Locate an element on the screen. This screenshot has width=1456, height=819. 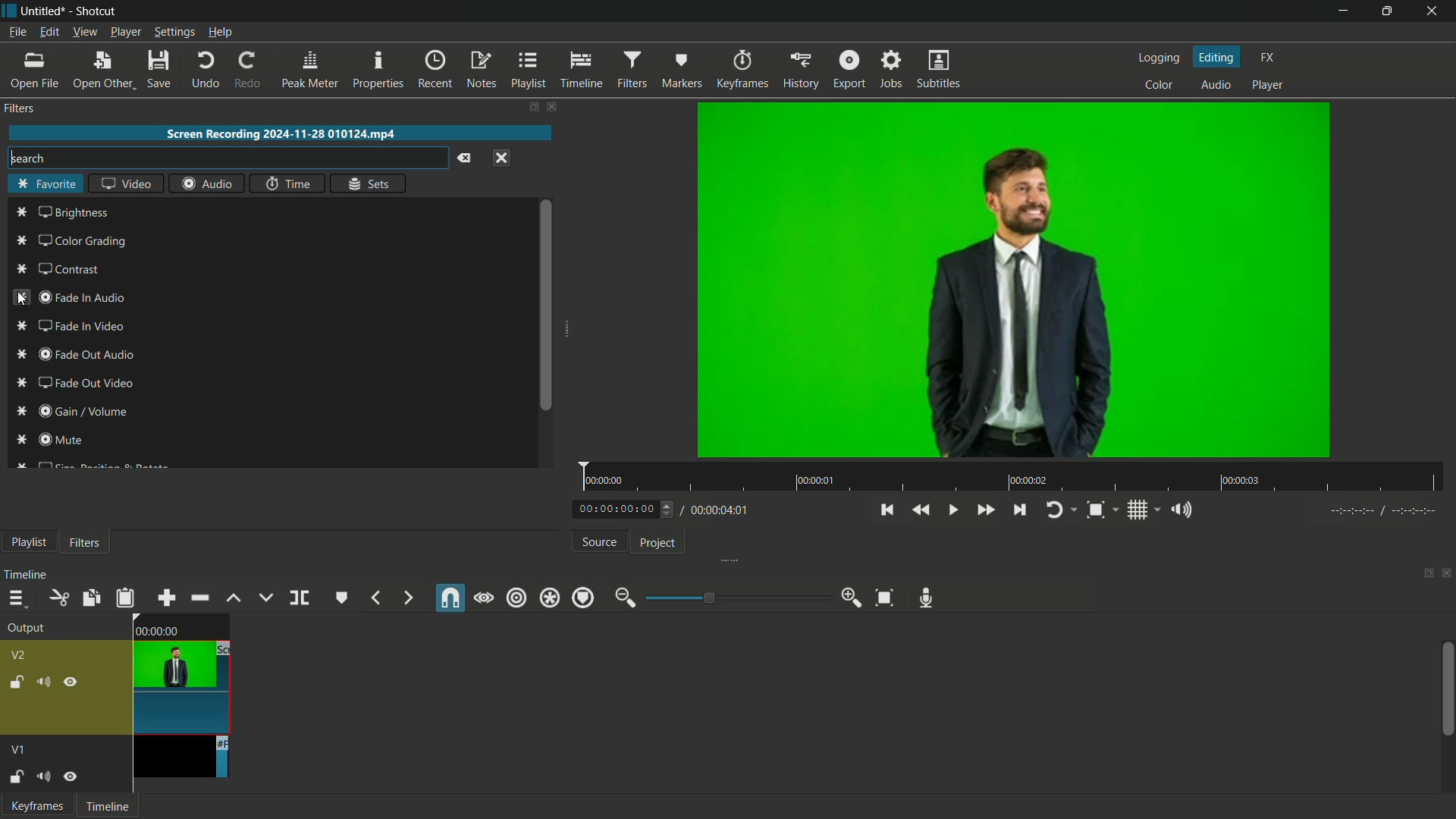
scrub while dragging is located at coordinates (484, 598).